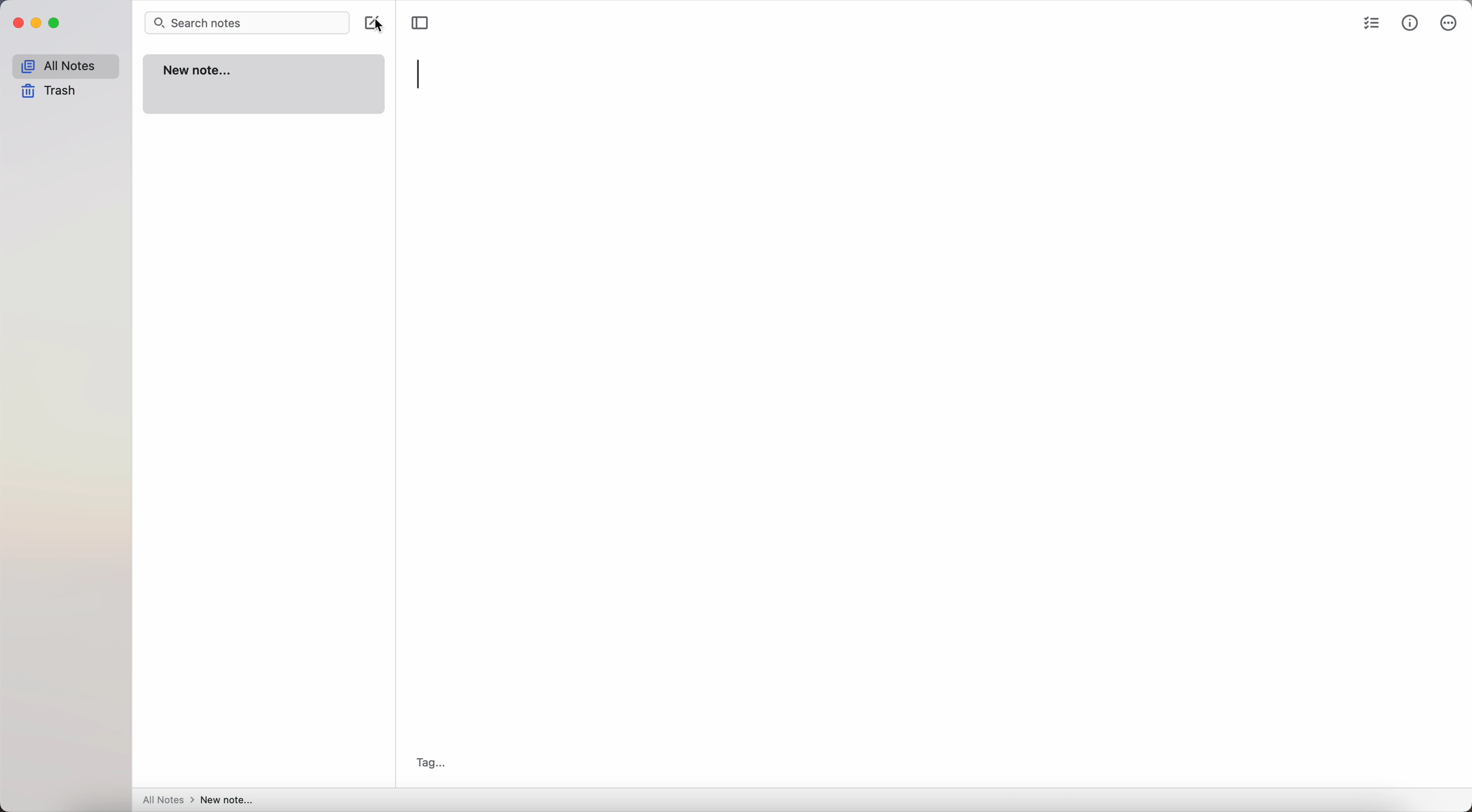  I want to click on maximize Simplenote, so click(56, 23).